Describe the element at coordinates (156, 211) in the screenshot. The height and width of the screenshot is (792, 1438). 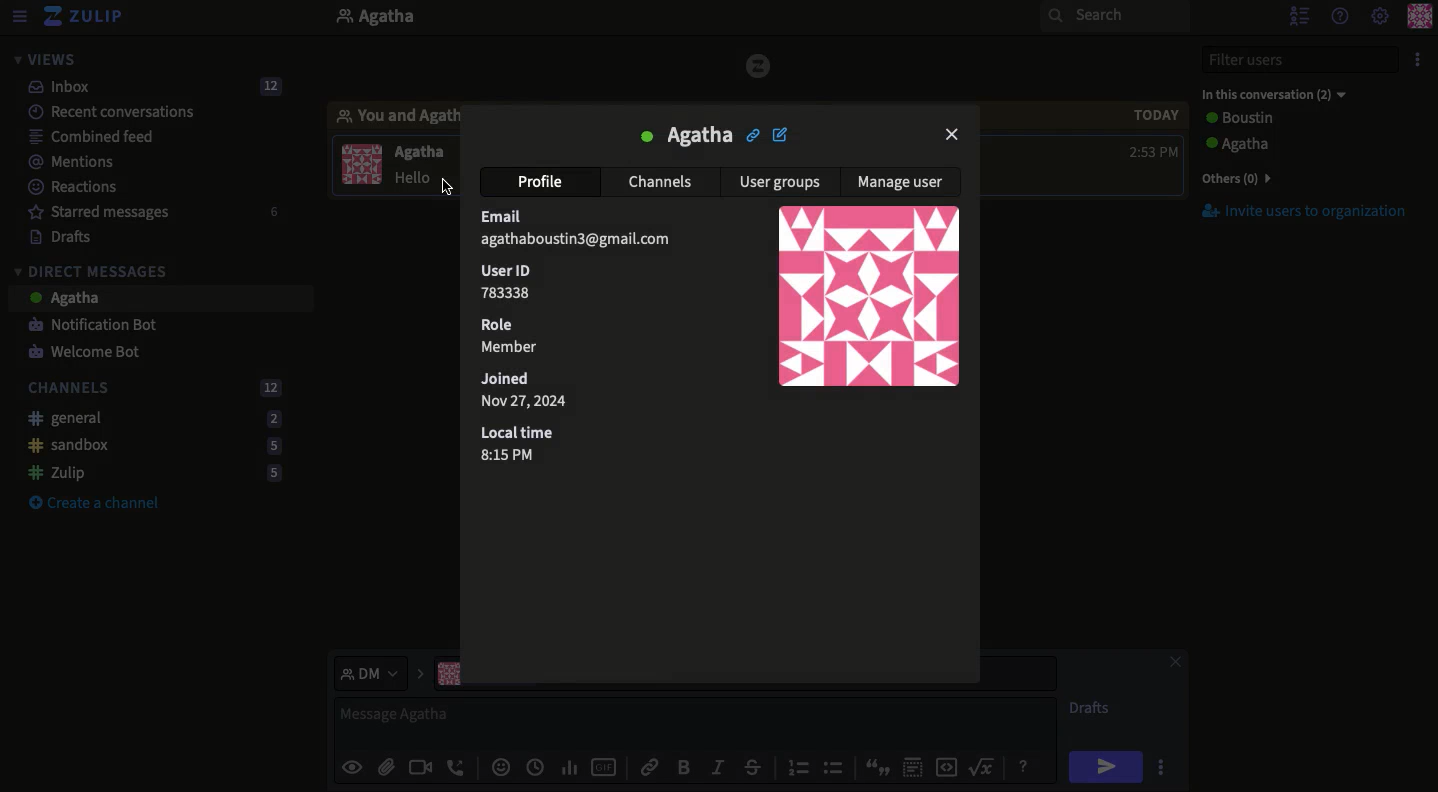
I see `Starred messages` at that location.